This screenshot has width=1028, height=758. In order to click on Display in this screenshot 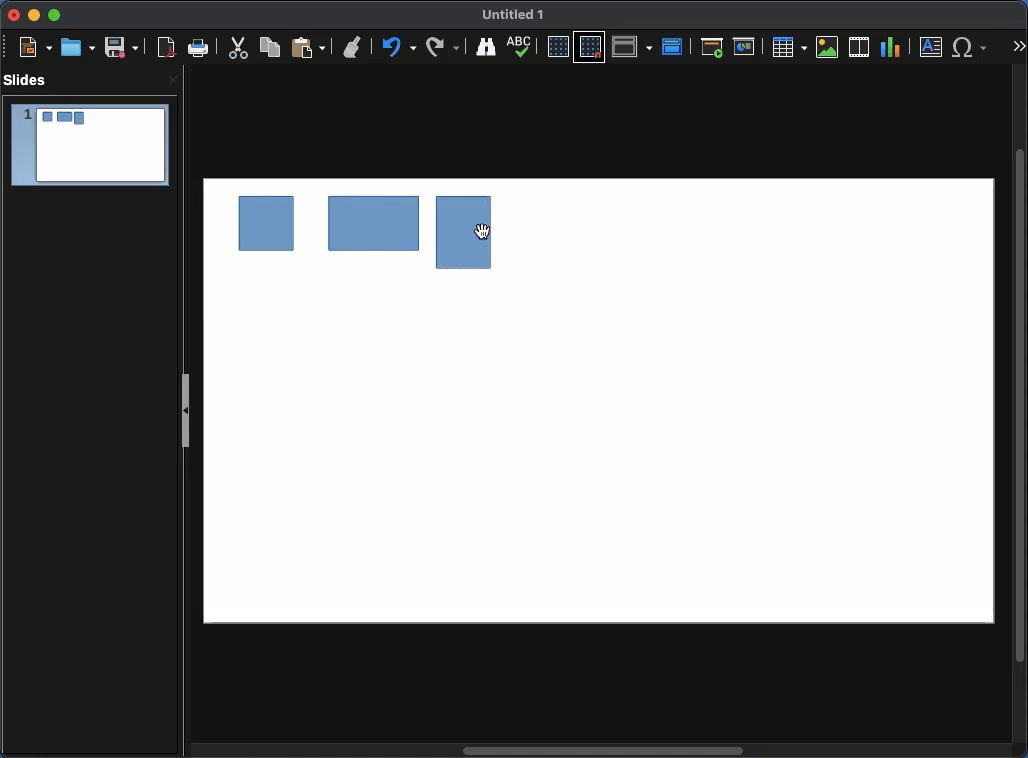, I will do `click(524, 48)`.